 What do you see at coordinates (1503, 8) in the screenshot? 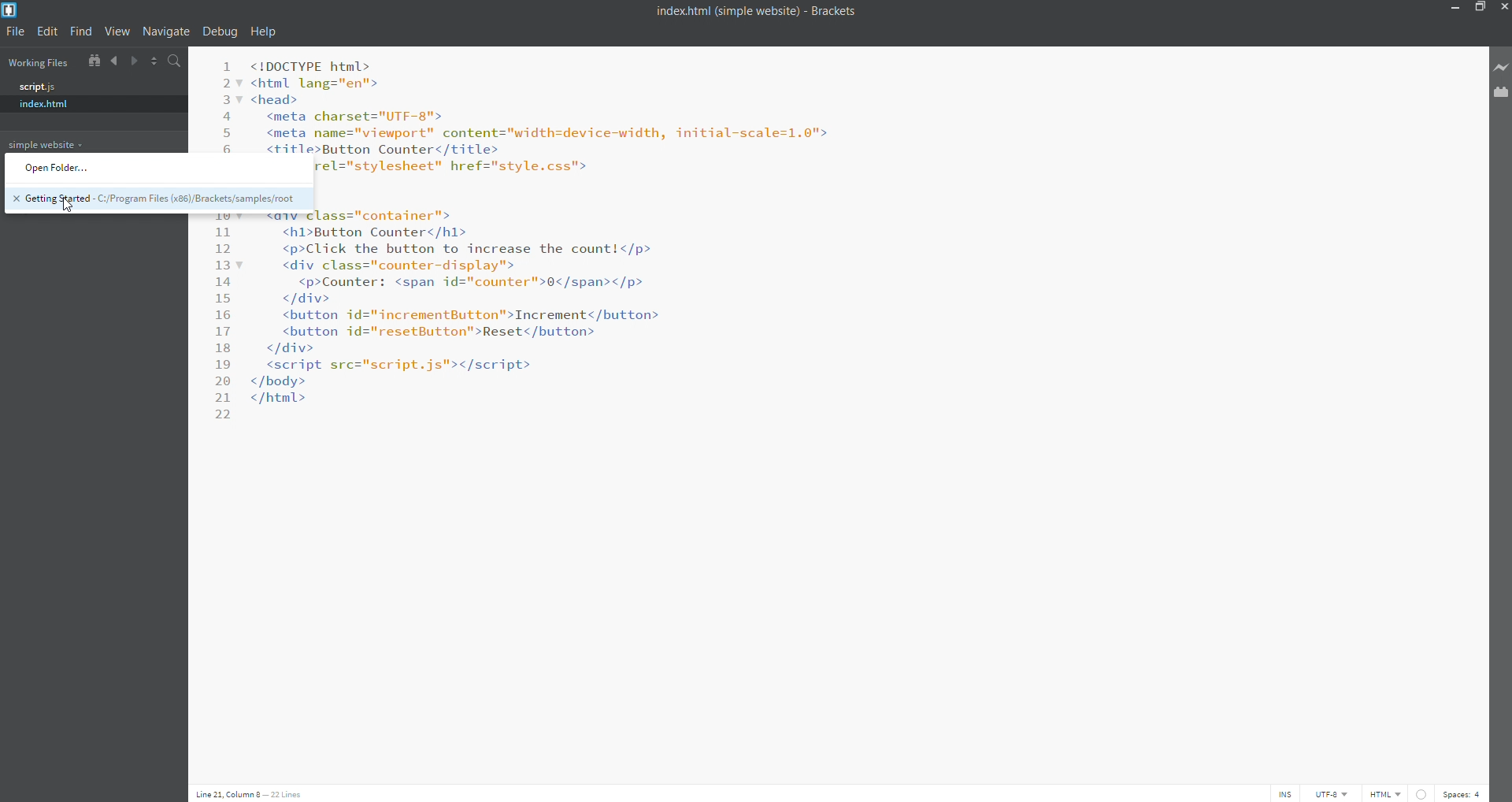
I see `close` at bounding box center [1503, 8].